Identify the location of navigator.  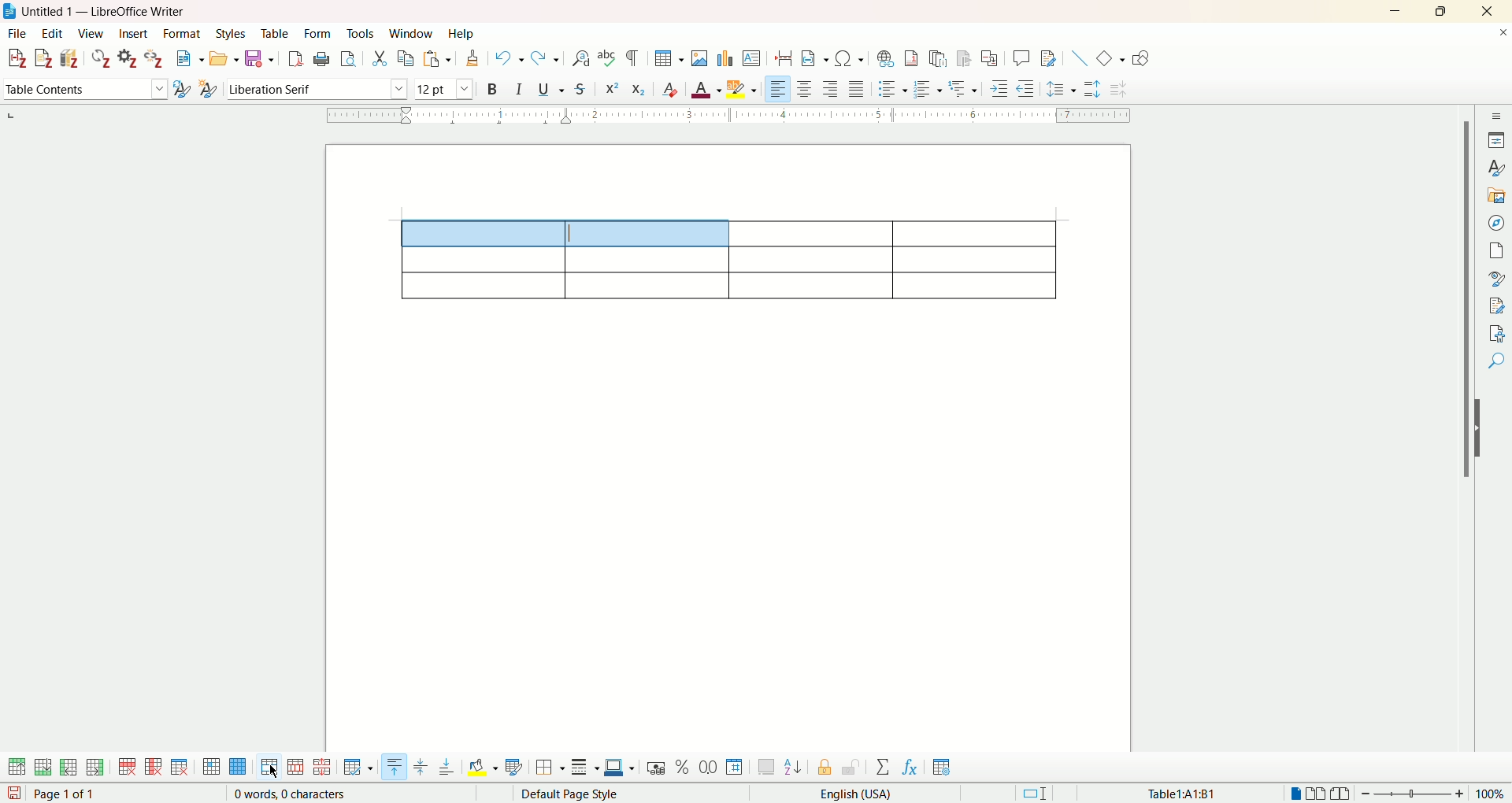
(1495, 225).